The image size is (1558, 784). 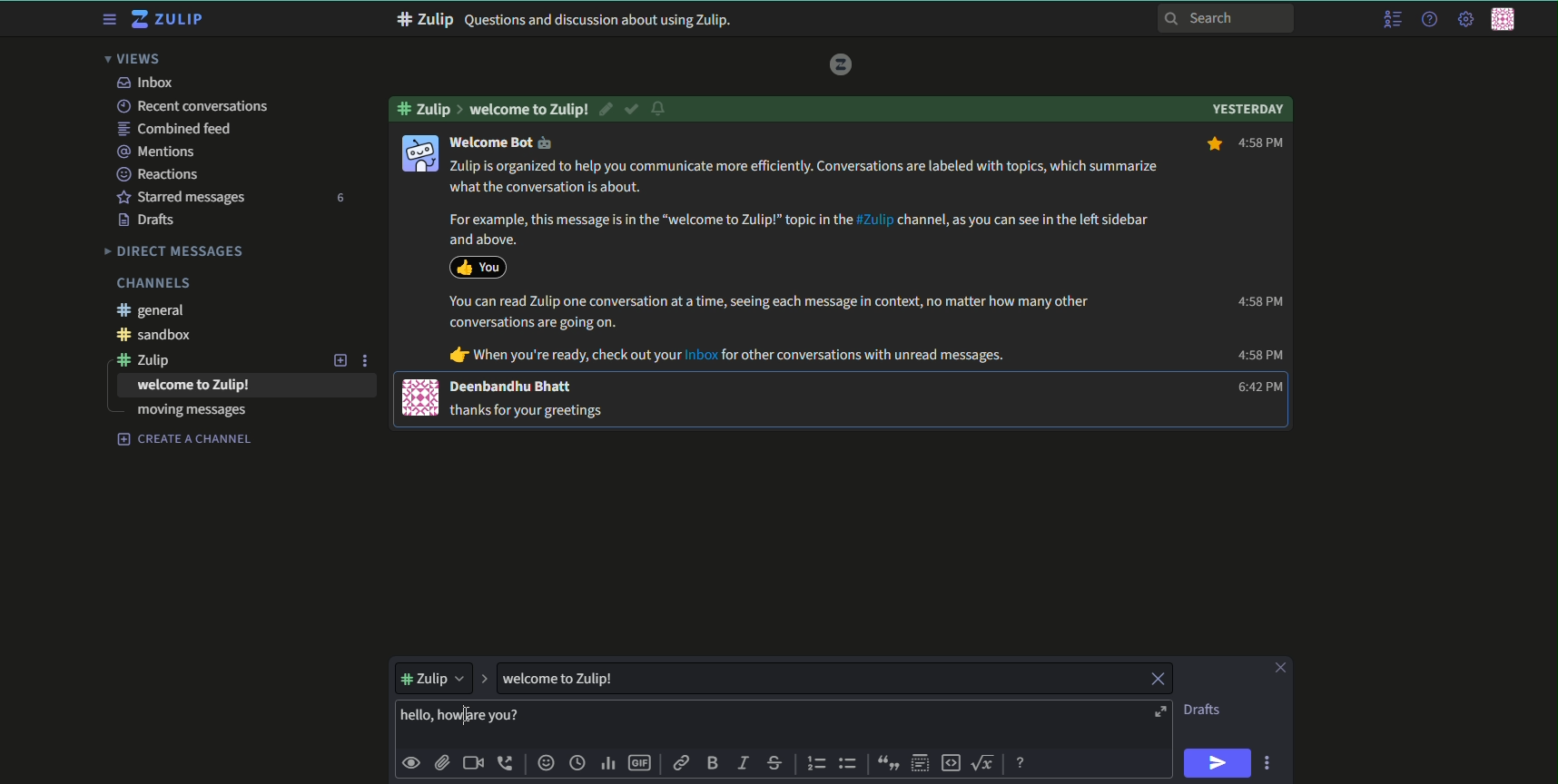 What do you see at coordinates (159, 151) in the screenshot?
I see `mentions` at bounding box center [159, 151].